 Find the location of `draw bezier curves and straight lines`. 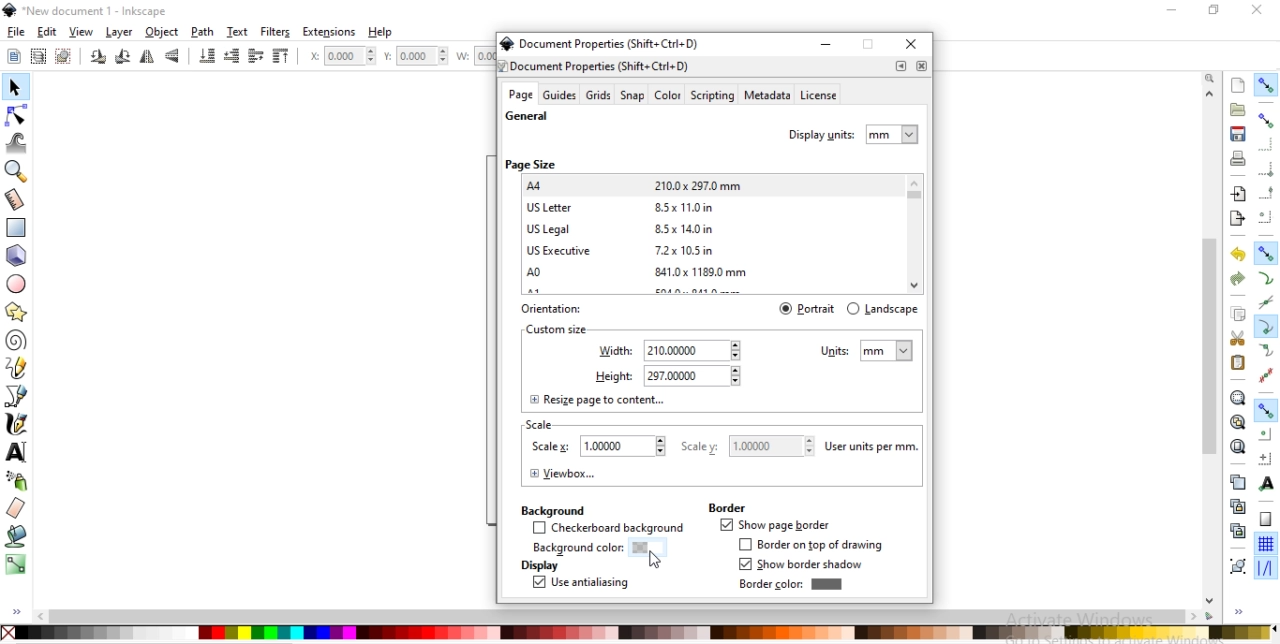

draw bezier curves and straight lines is located at coordinates (17, 394).